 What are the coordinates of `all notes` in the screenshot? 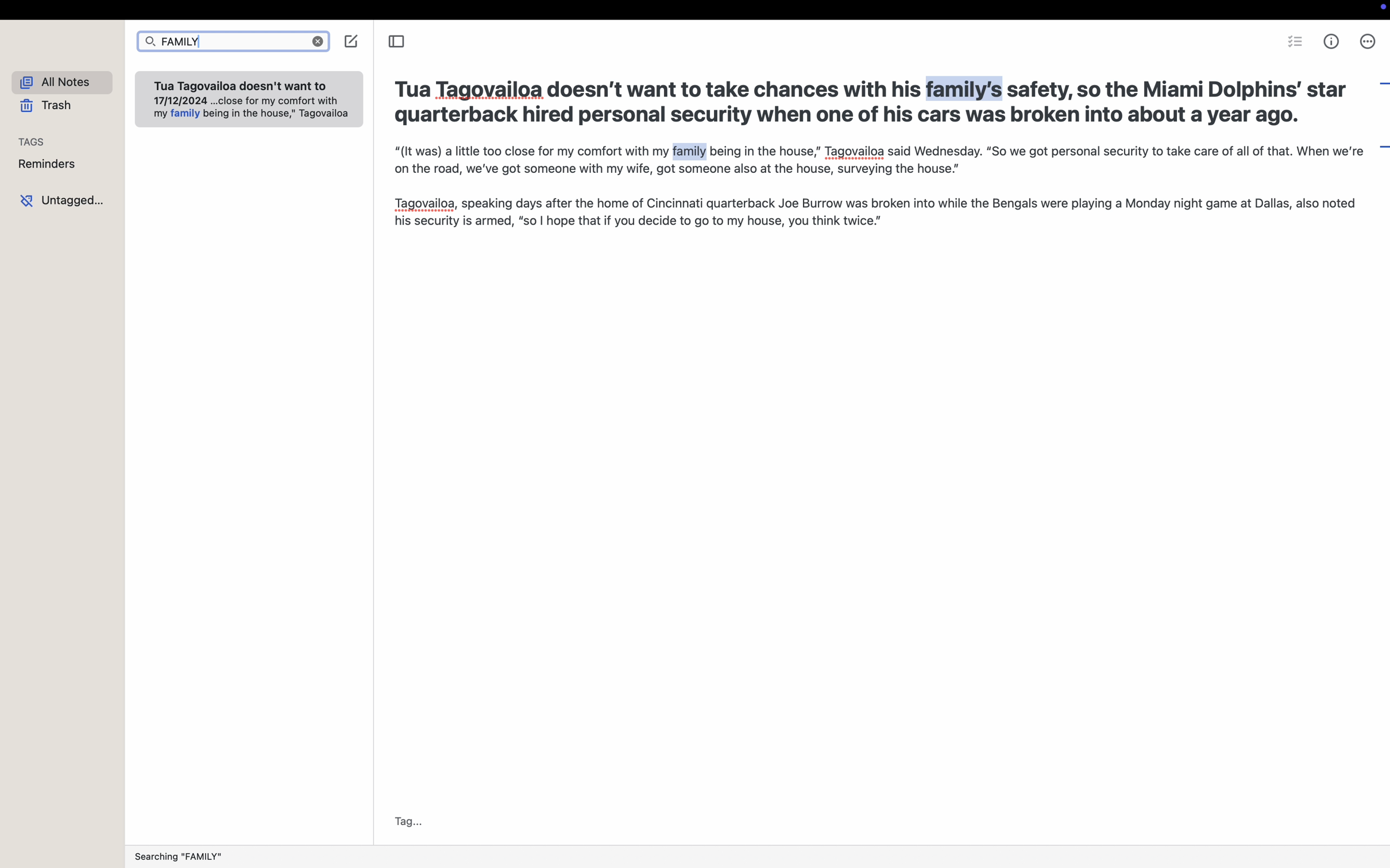 It's located at (61, 83).